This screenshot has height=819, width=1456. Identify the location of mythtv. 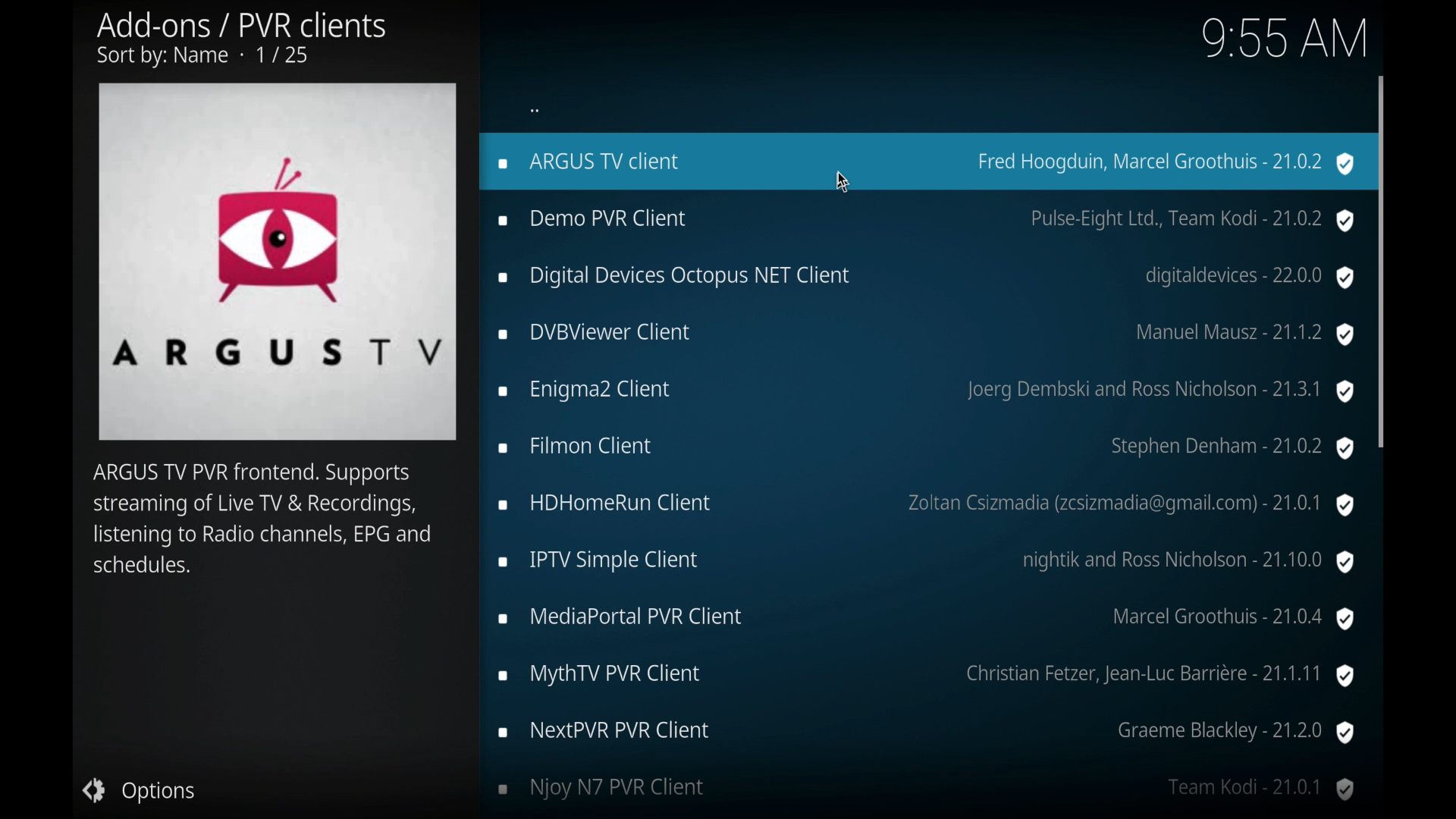
(927, 676).